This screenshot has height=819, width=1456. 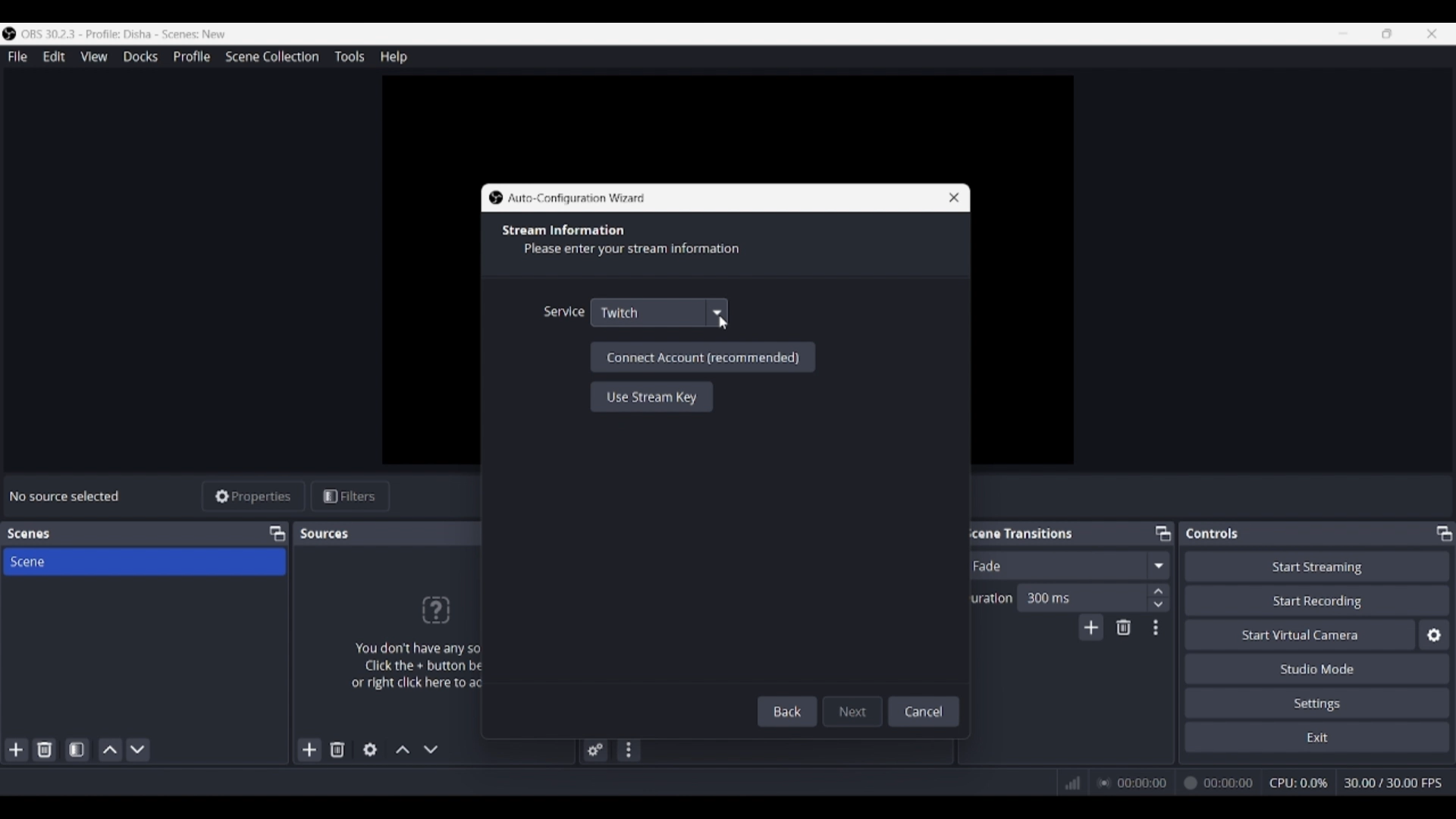 What do you see at coordinates (1081, 597) in the screenshot?
I see `Input duration` at bounding box center [1081, 597].